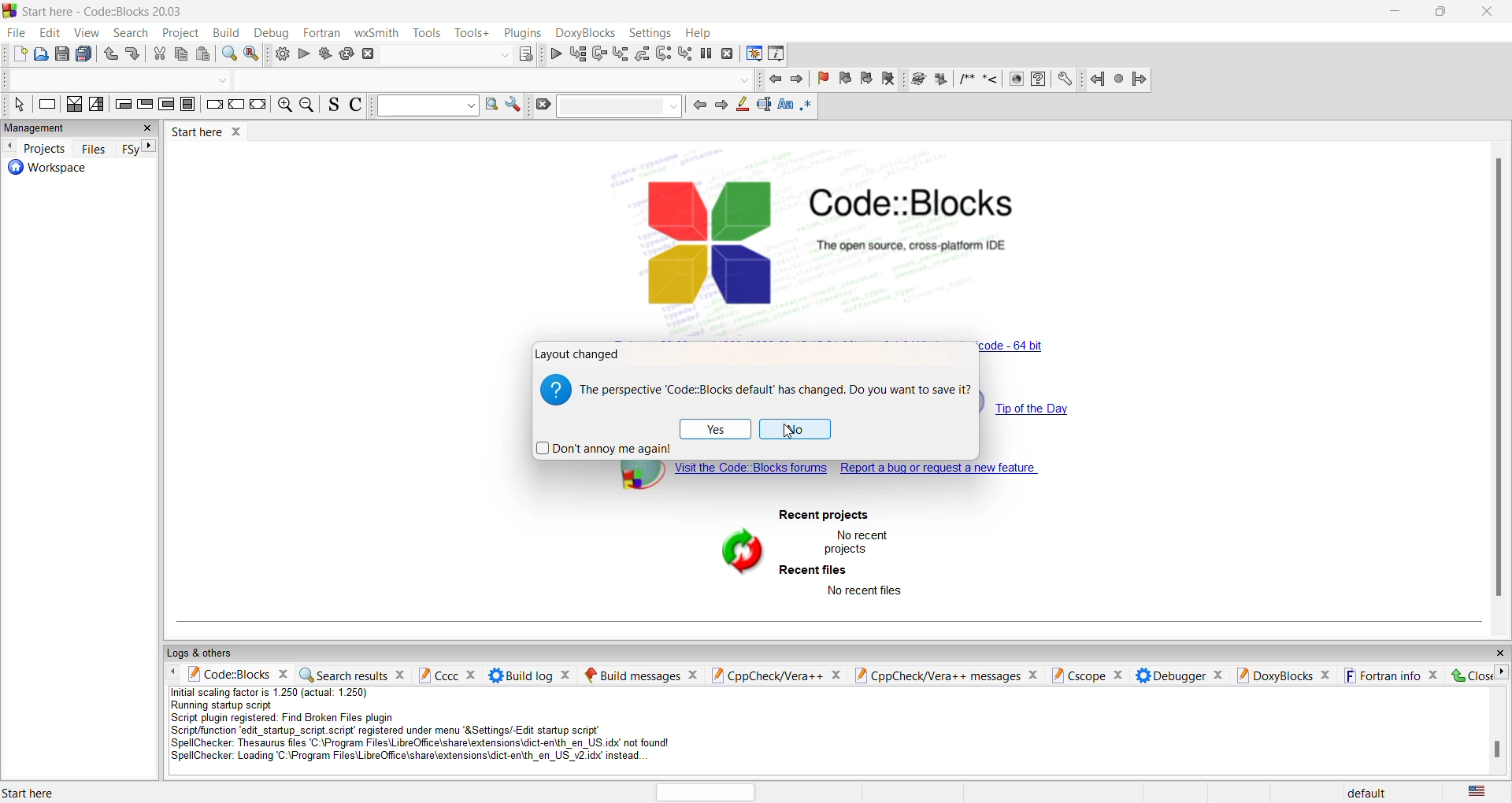 The width and height of the screenshot is (1512, 803). Describe the element at coordinates (769, 675) in the screenshot. I see `cpp pane` at that location.